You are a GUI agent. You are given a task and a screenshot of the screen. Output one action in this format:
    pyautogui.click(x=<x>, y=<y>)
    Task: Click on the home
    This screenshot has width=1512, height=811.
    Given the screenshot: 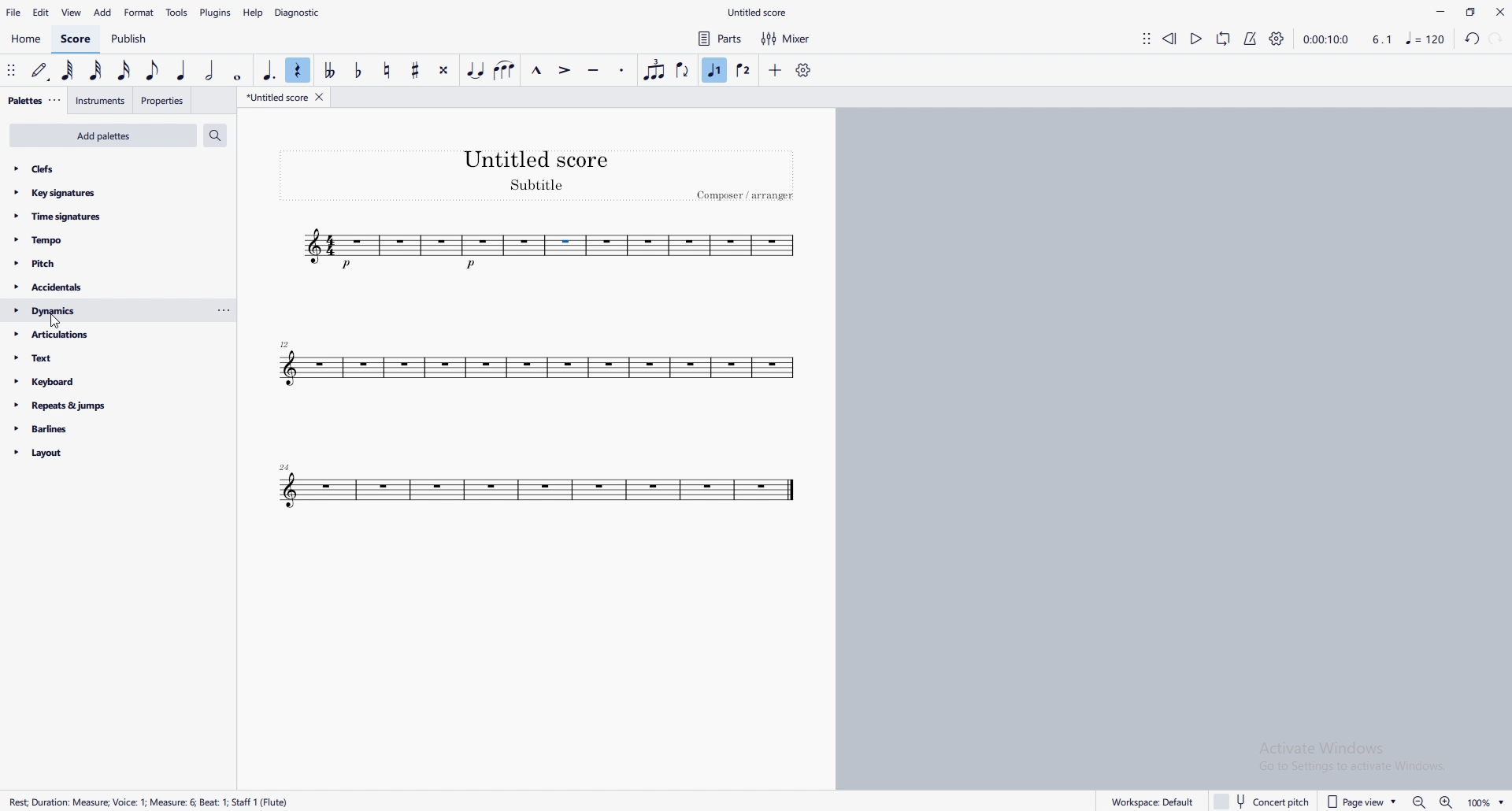 What is the action you would take?
    pyautogui.click(x=27, y=39)
    